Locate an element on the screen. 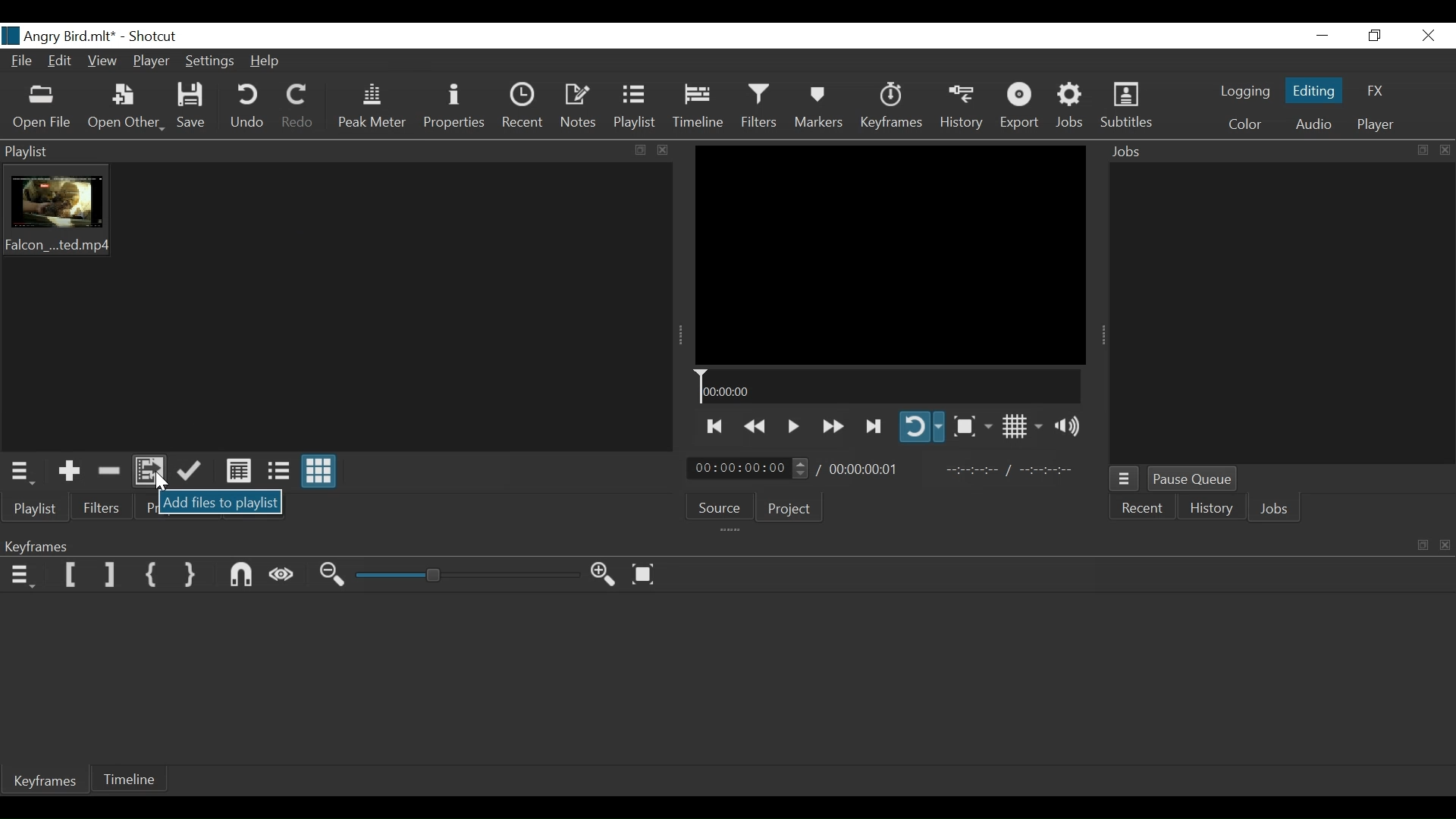 This screenshot has height=819, width=1456. Cursor is located at coordinates (162, 482).